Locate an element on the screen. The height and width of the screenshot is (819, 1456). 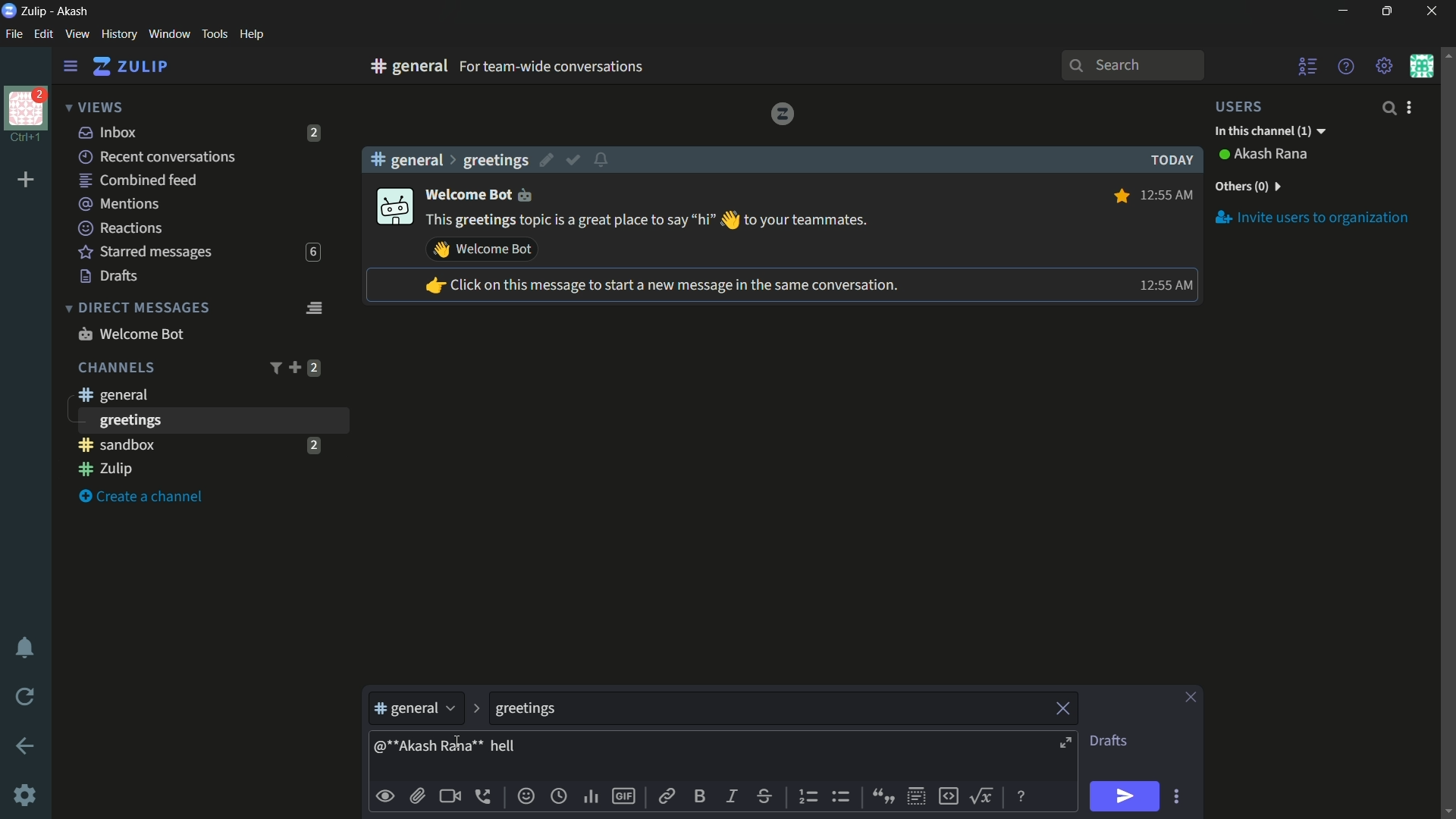
settings is located at coordinates (71, 67).